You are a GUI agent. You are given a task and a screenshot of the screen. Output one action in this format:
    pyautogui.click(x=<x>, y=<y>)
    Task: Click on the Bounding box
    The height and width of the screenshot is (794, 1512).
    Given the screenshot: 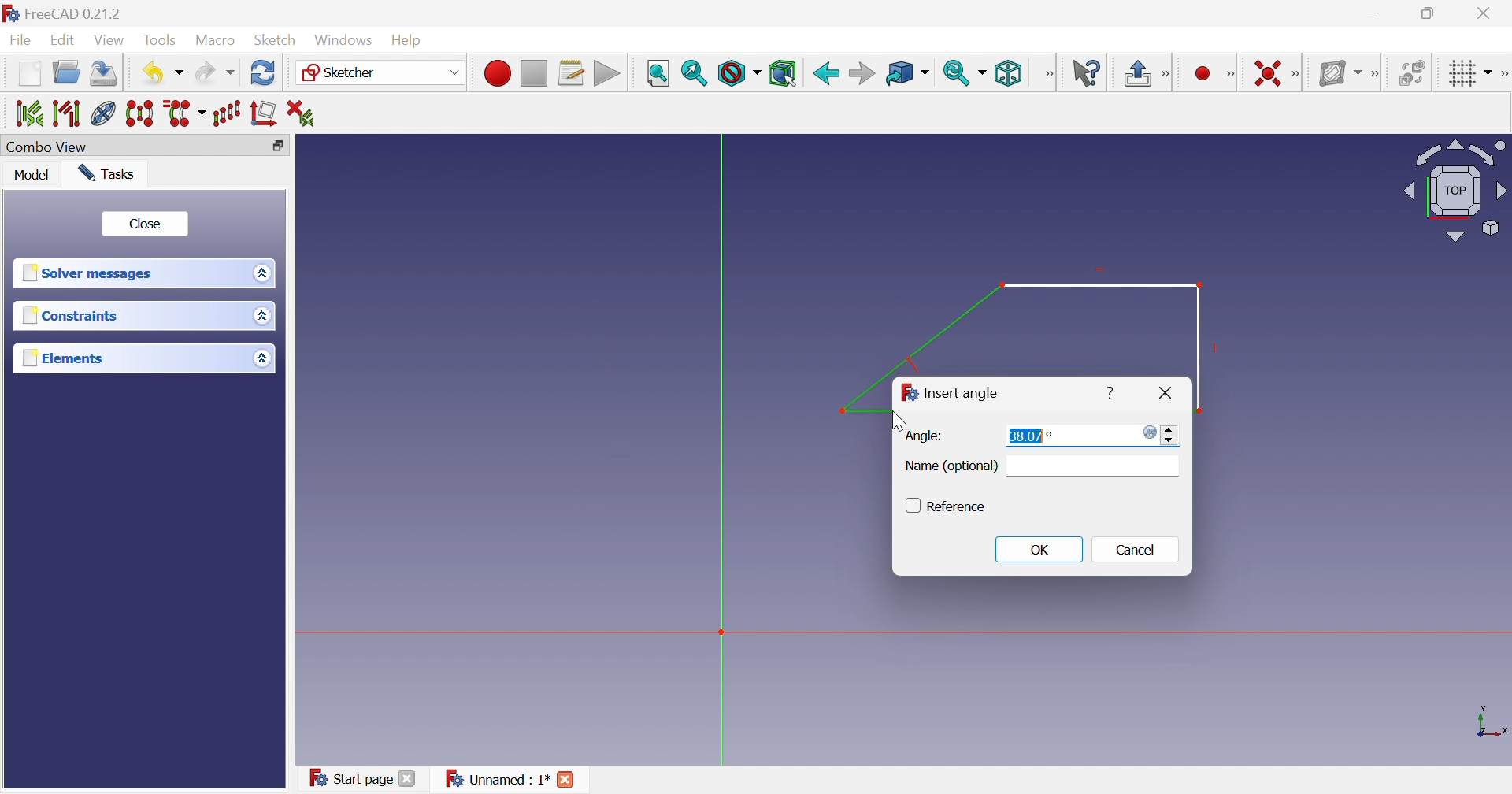 What is the action you would take?
    pyautogui.click(x=784, y=72)
    